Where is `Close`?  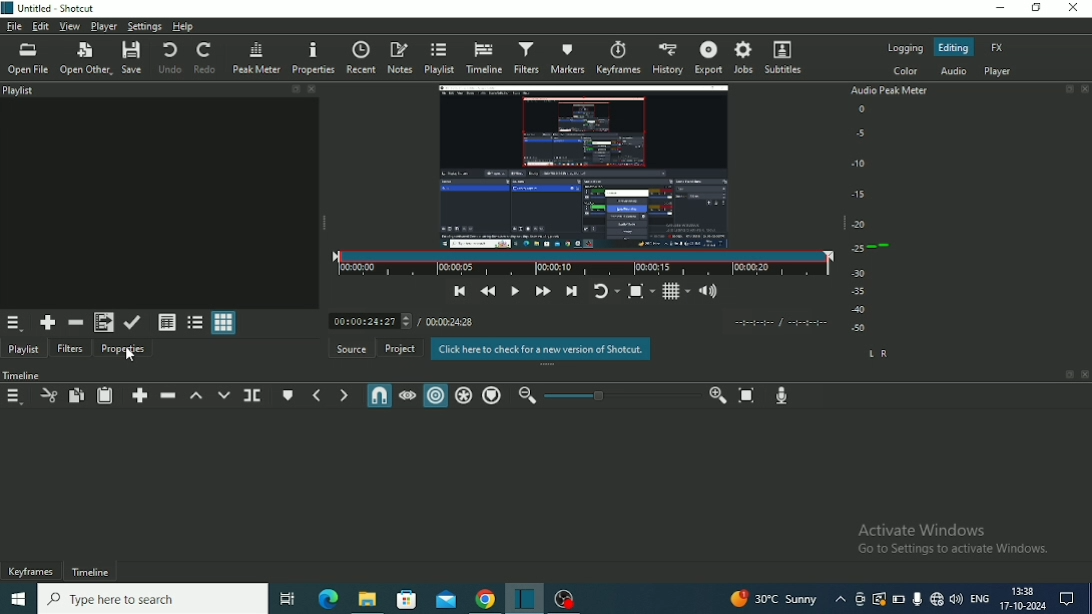 Close is located at coordinates (1085, 374).